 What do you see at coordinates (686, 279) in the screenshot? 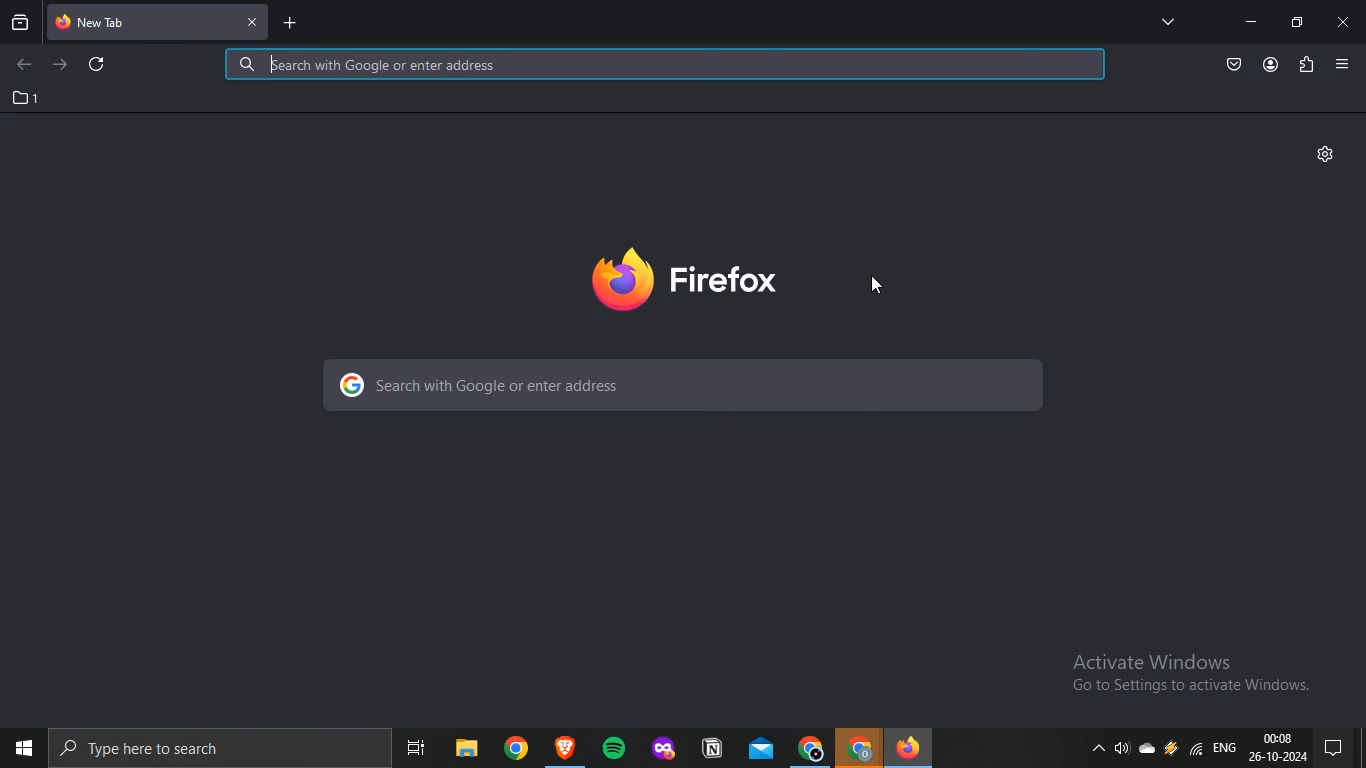
I see `firefox logo` at bounding box center [686, 279].